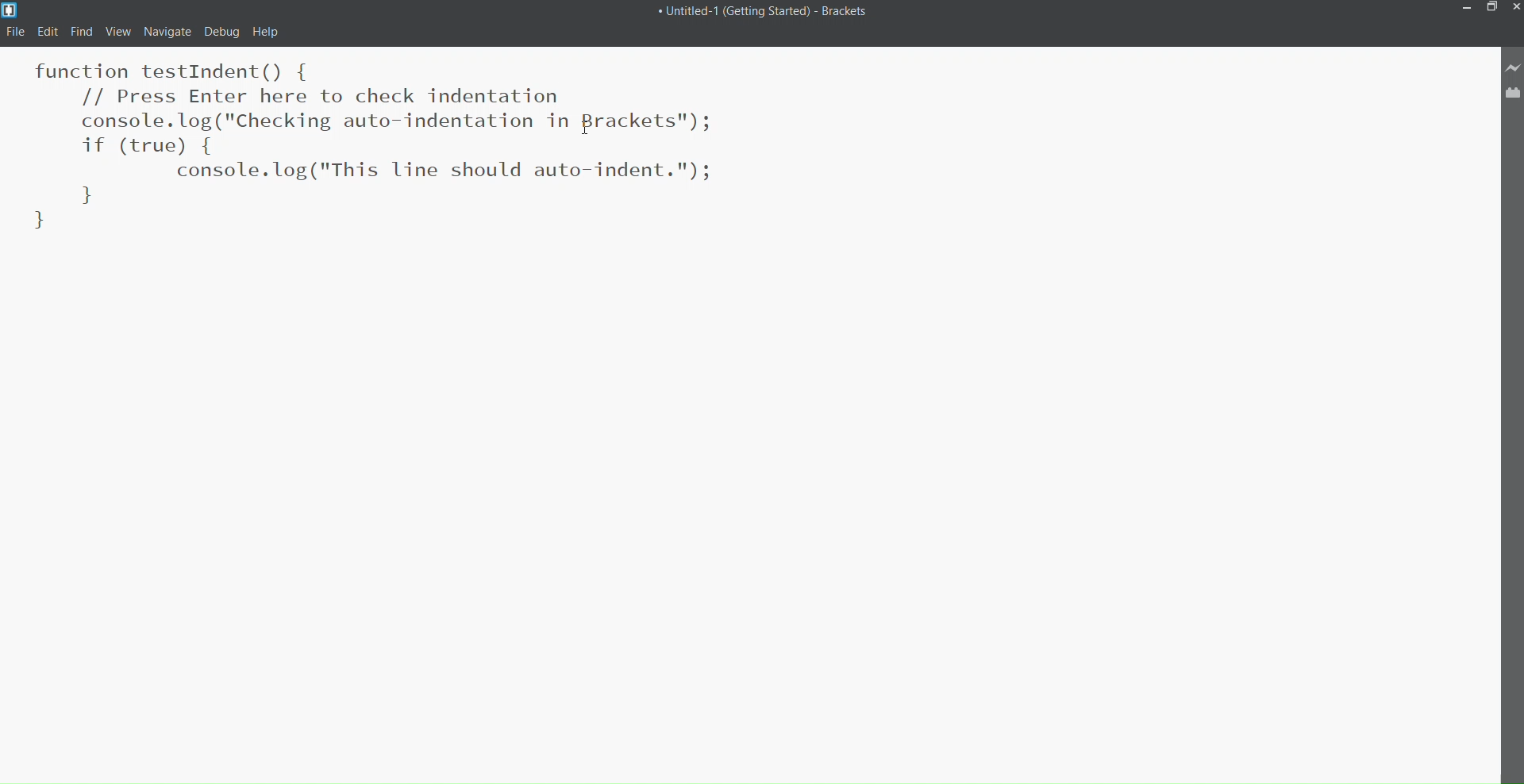 The image size is (1524, 784). I want to click on Debug, so click(221, 32).